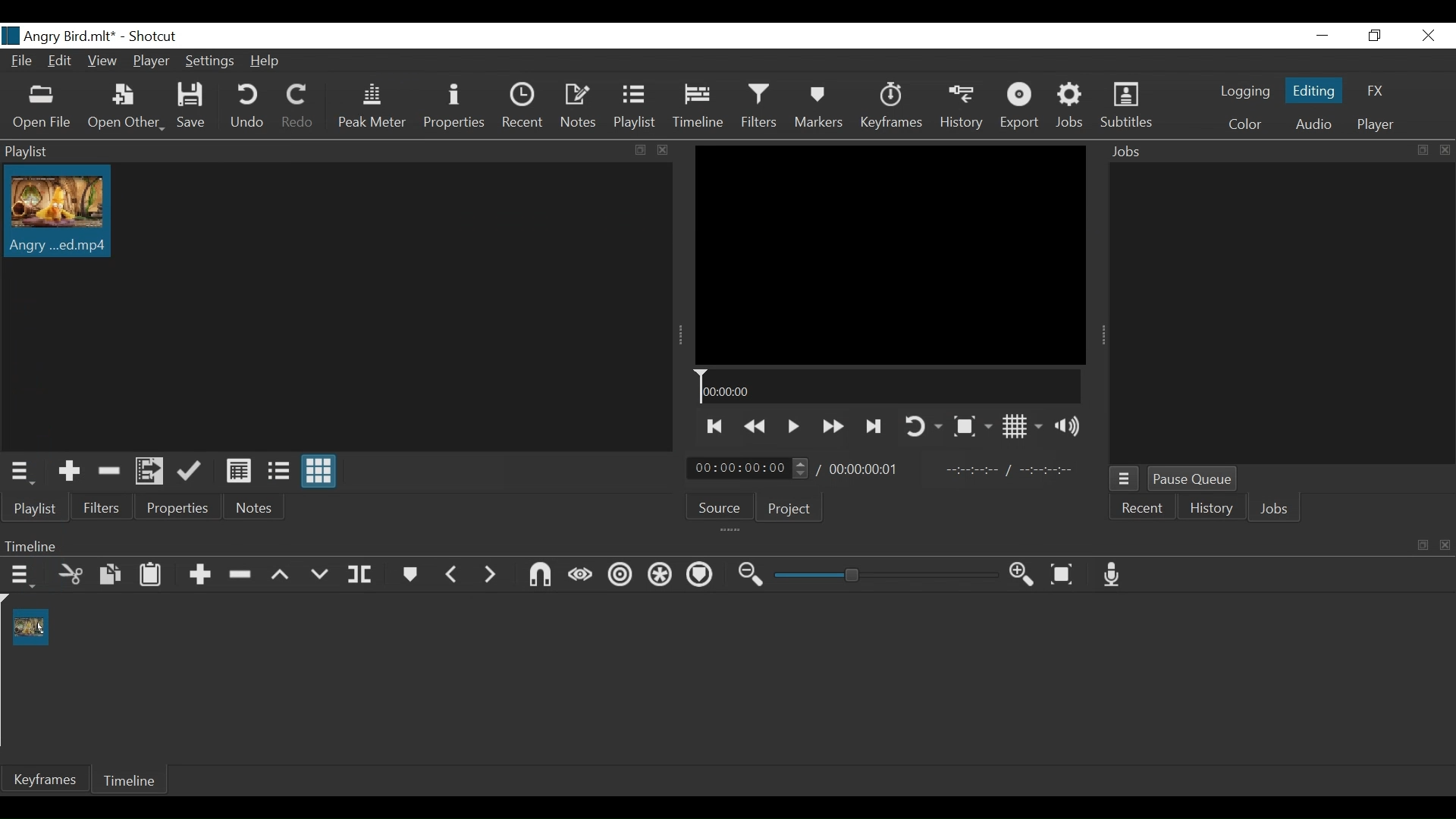 The width and height of the screenshot is (1456, 819). What do you see at coordinates (281, 576) in the screenshot?
I see `lift` at bounding box center [281, 576].